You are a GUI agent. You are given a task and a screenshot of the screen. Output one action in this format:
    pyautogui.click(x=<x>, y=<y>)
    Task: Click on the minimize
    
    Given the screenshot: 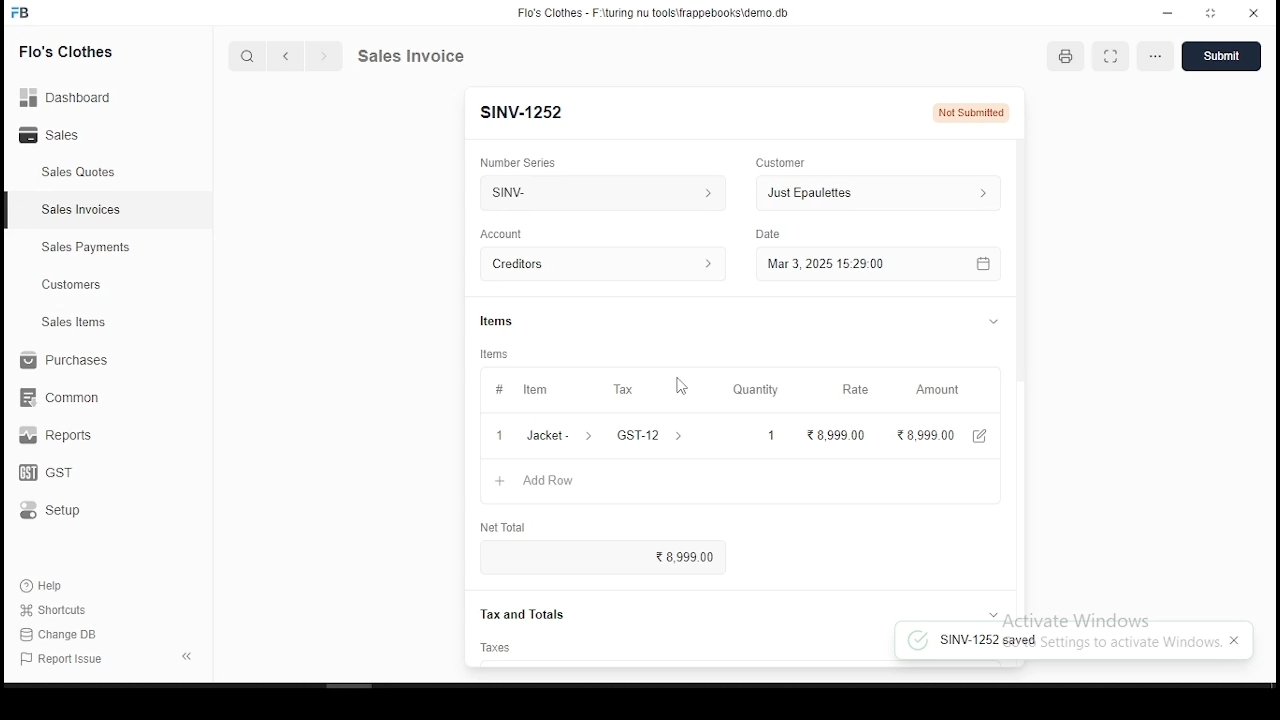 What is the action you would take?
    pyautogui.click(x=1163, y=13)
    